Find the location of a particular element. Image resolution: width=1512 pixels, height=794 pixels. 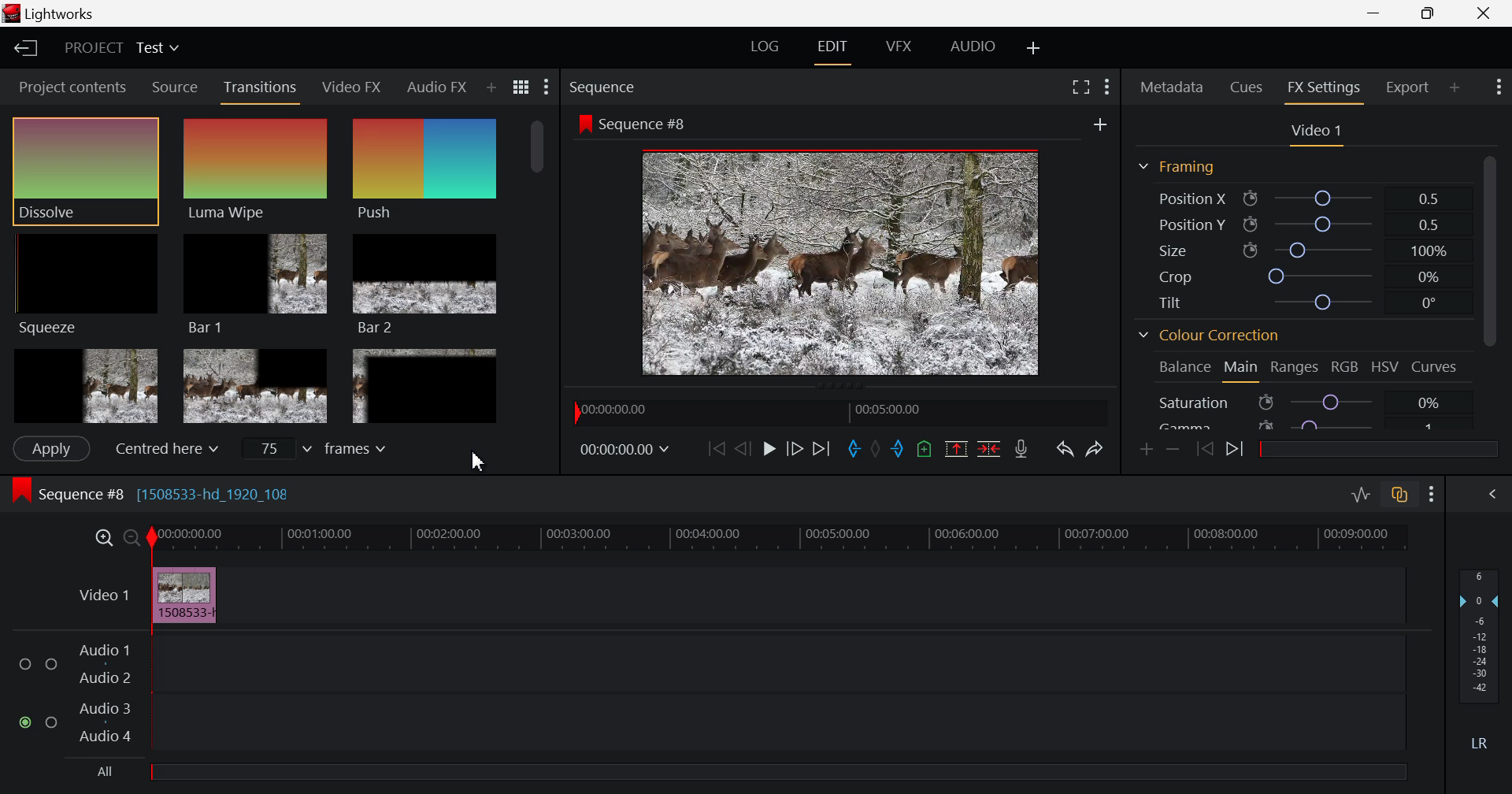

Cursor Position AFTER_LAST_ACTION is located at coordinates (478, 463).